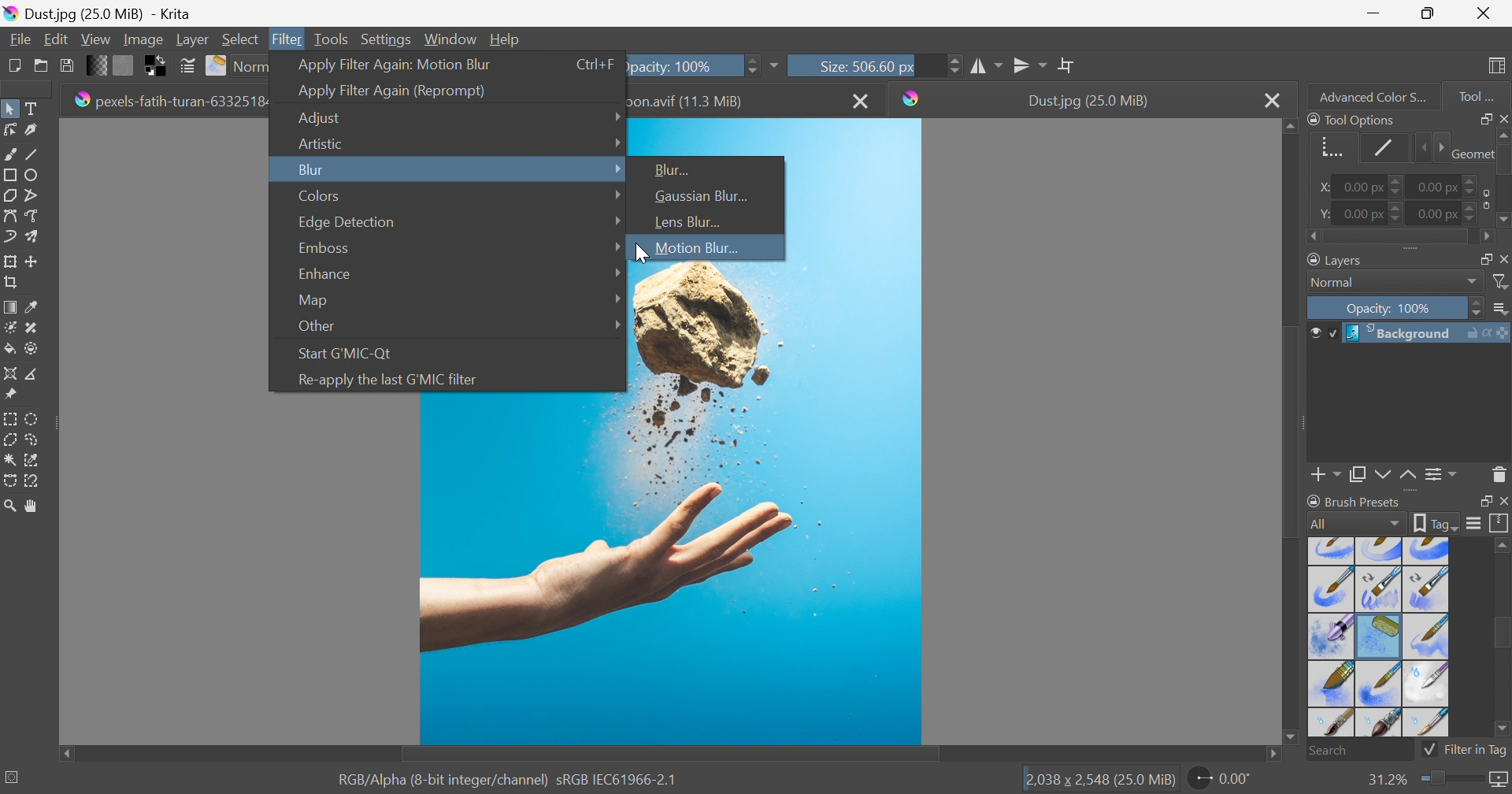 This screenshot has height=794, width=1512. What do you see at coordinates (65, 64) in the screenshot?
I see `Save` at bounding box center [65, 64].